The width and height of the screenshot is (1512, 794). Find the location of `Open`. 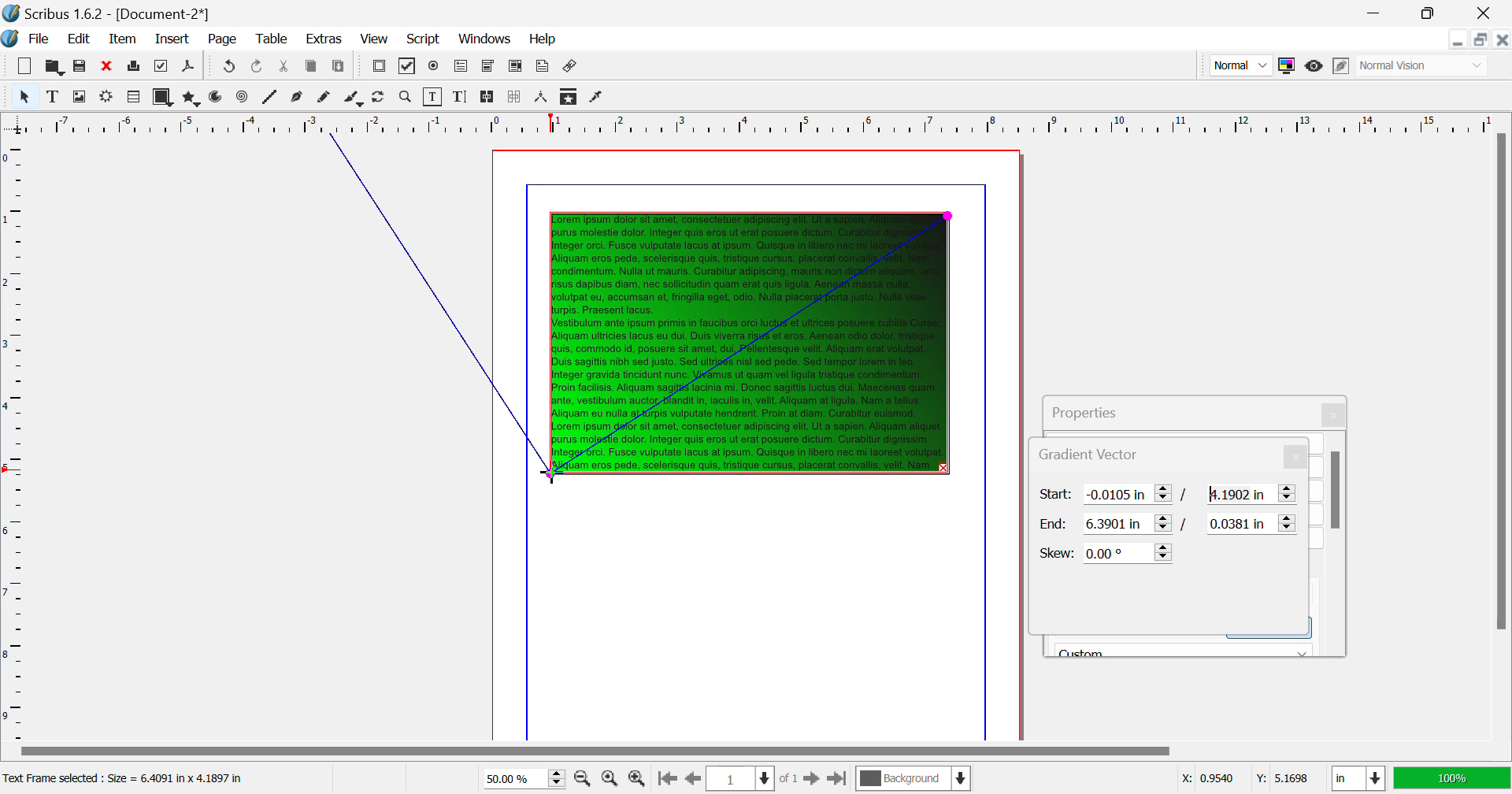

Open is located at coordinates (54, 65).